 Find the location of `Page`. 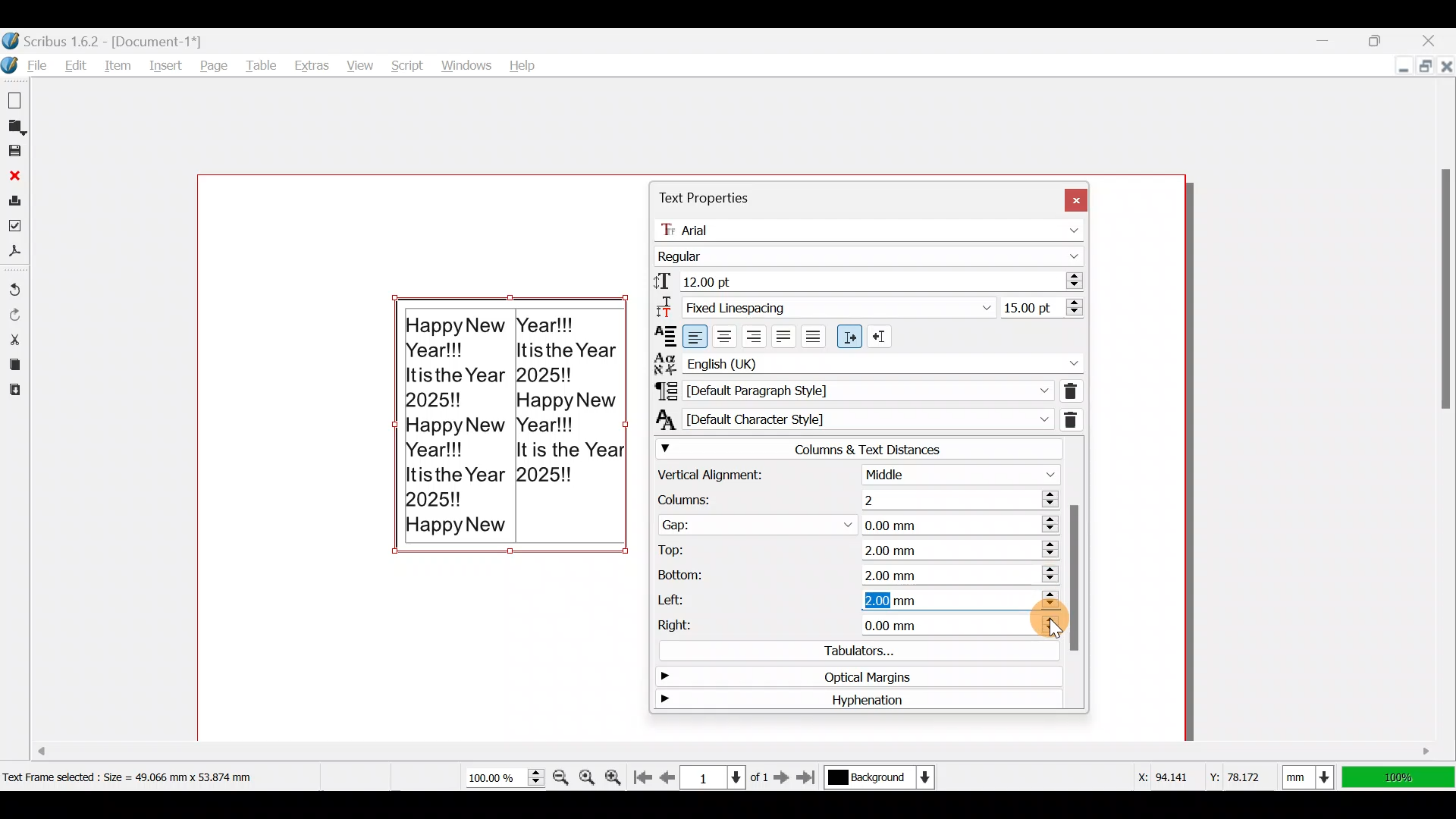

Page is located at coordinates (215, 65).